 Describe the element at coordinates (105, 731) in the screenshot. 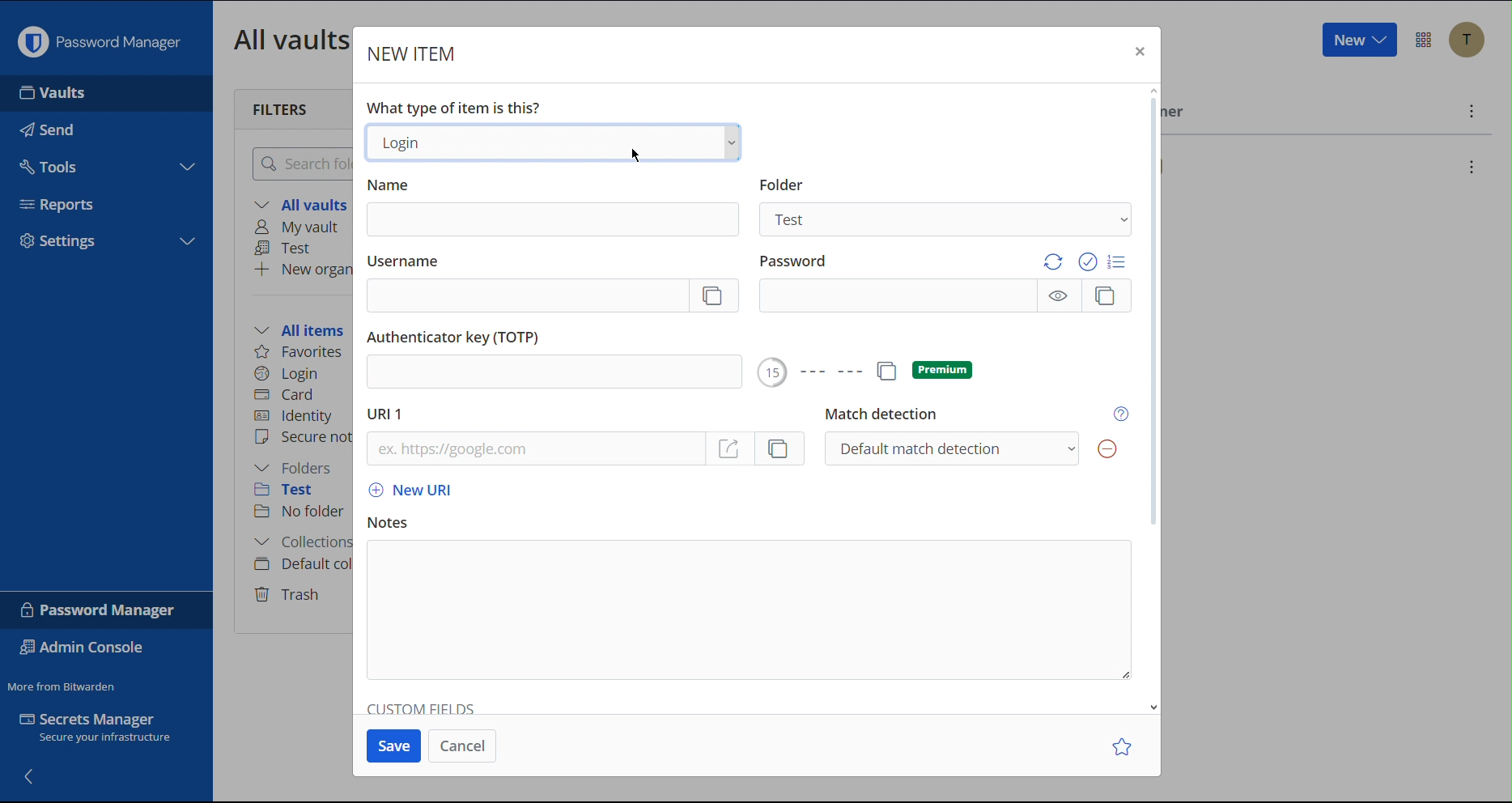

I see `Secrets Manager` at that location.